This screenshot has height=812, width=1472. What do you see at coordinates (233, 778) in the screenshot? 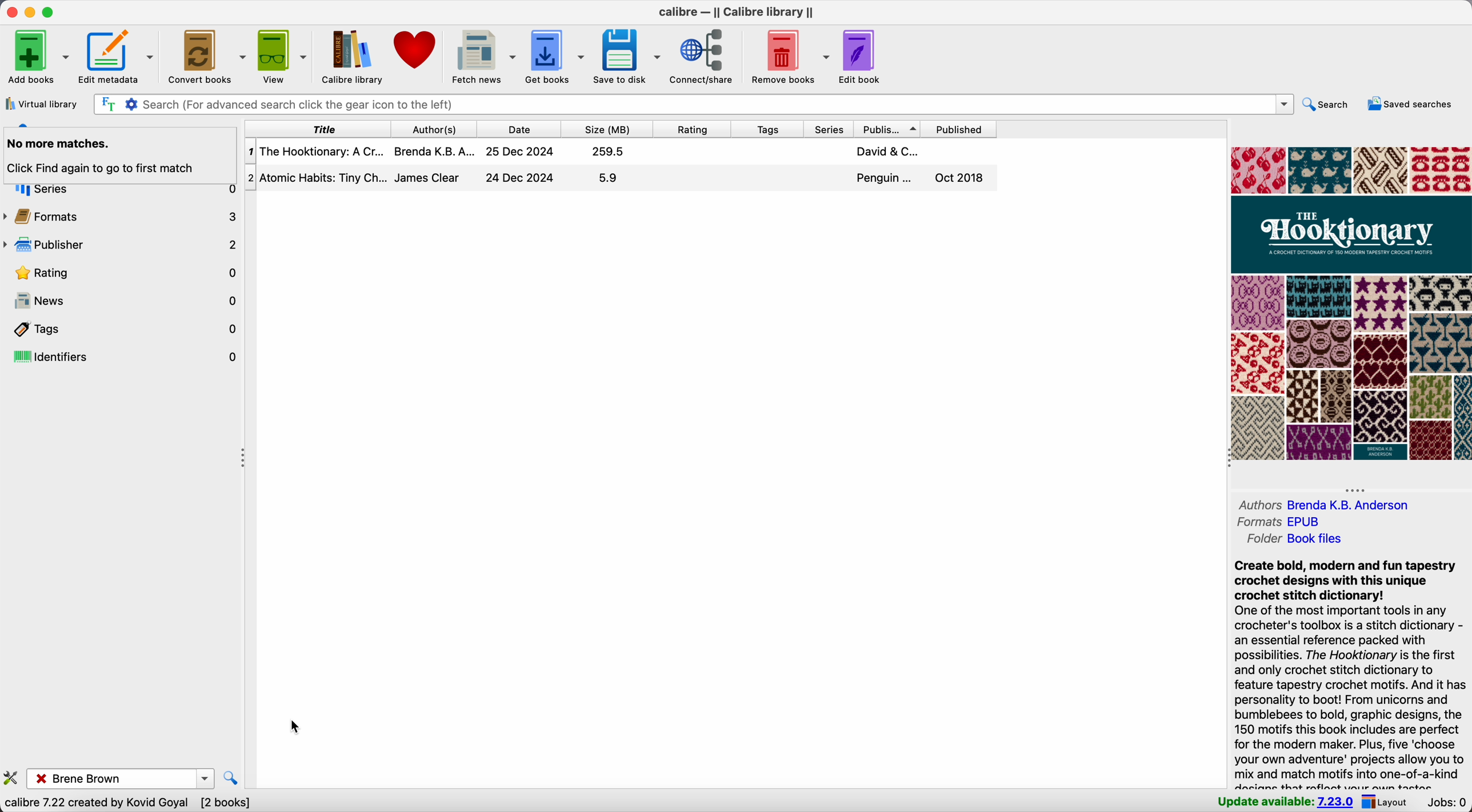
I see `find` at bounding box center [233, 778].